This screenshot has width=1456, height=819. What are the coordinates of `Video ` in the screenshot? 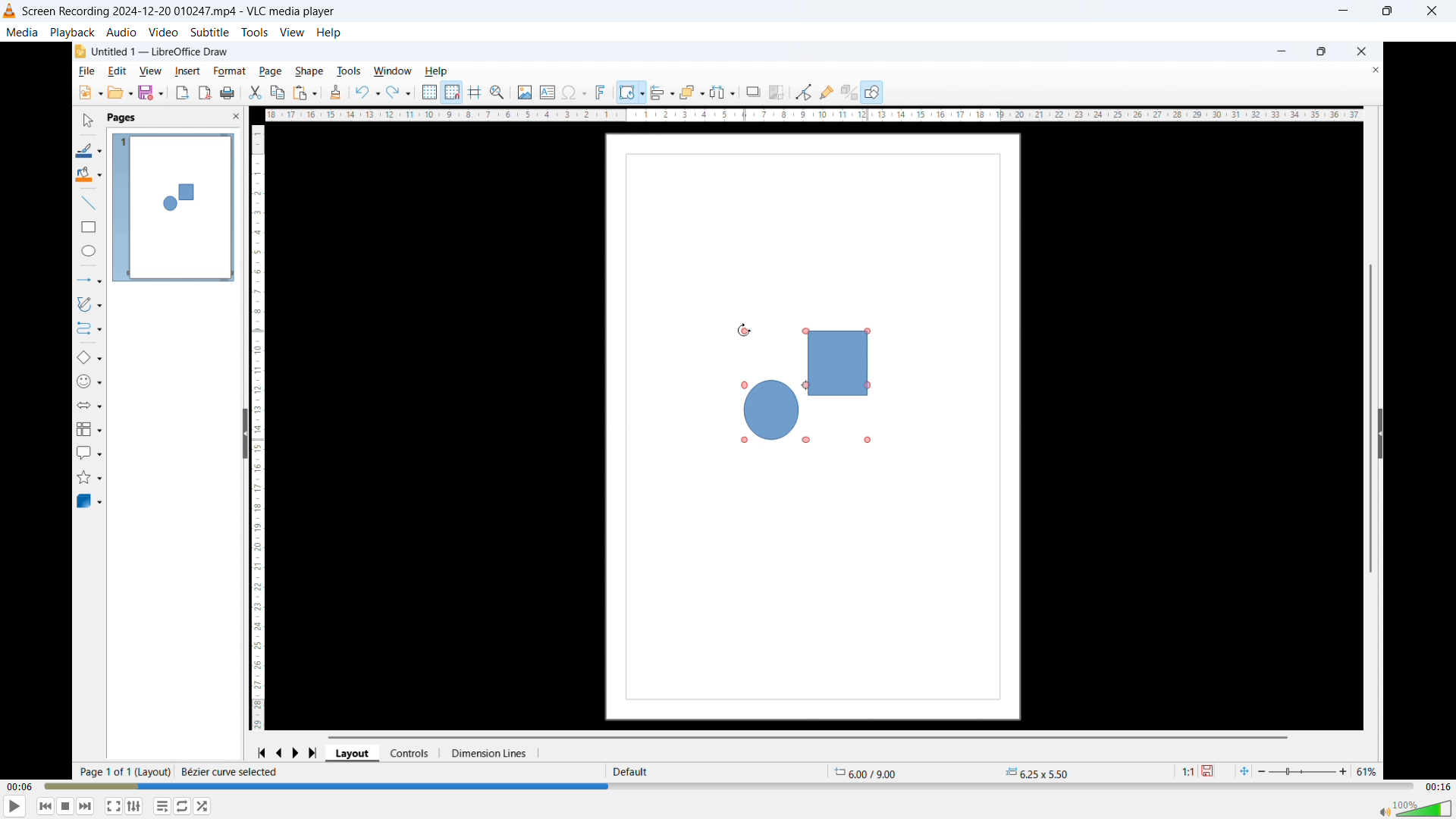 It's located at (162, 33).